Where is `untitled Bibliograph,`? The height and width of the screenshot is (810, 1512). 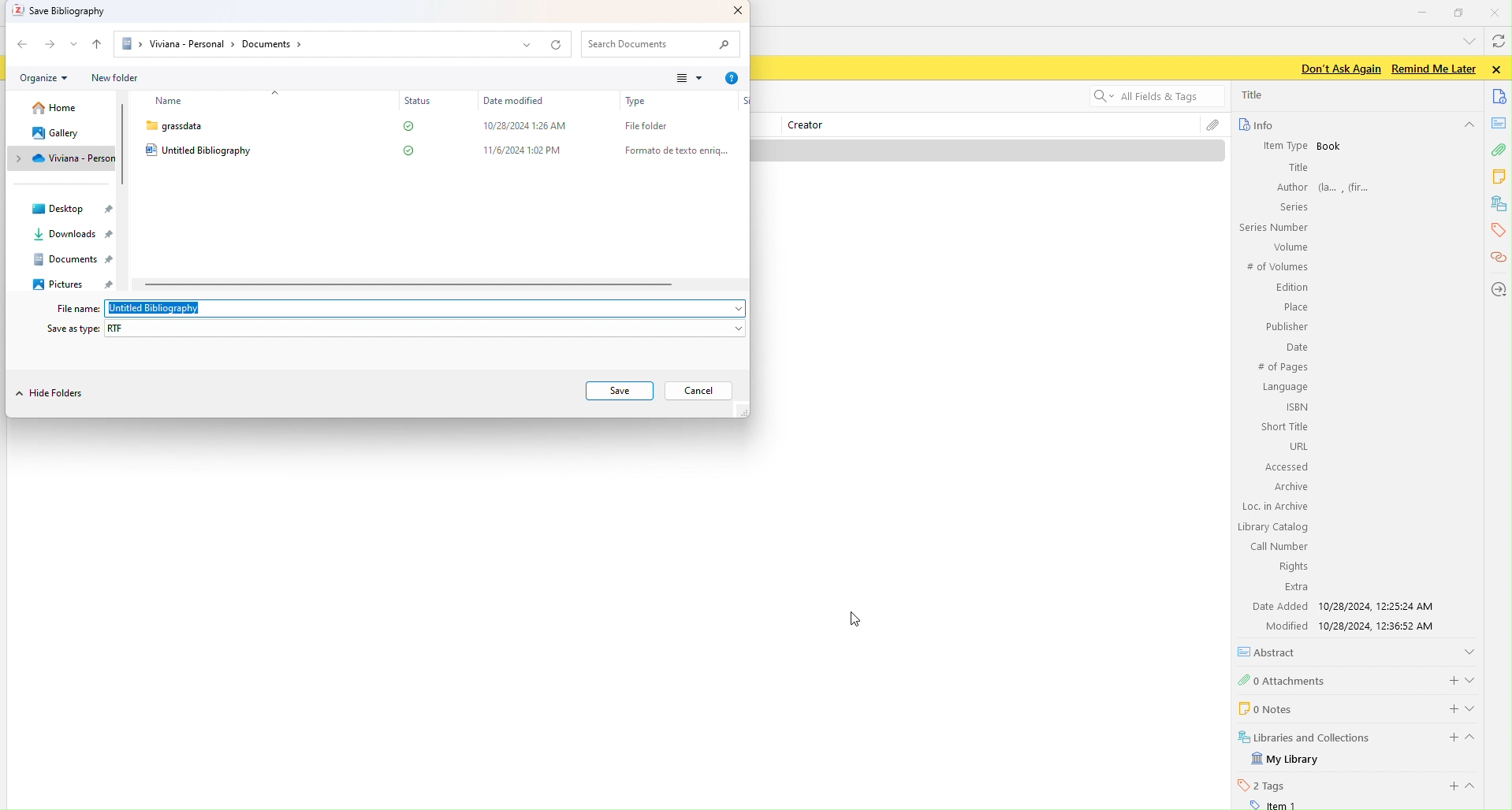
untitled Bibliograph, is located at coordinates (157, 309).